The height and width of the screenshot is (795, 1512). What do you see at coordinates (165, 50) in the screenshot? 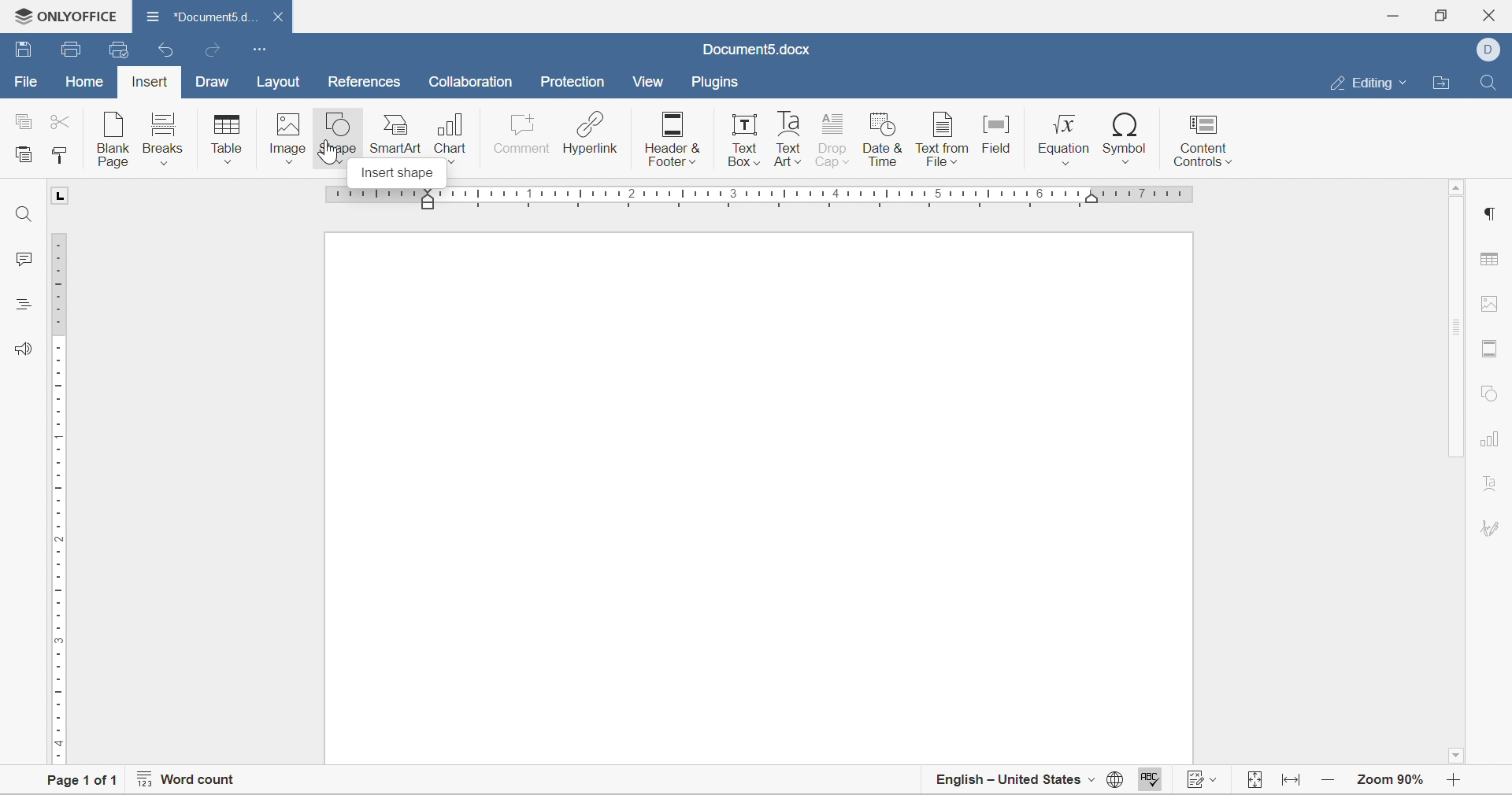
I see `undo` at bounding box center [165, 50].